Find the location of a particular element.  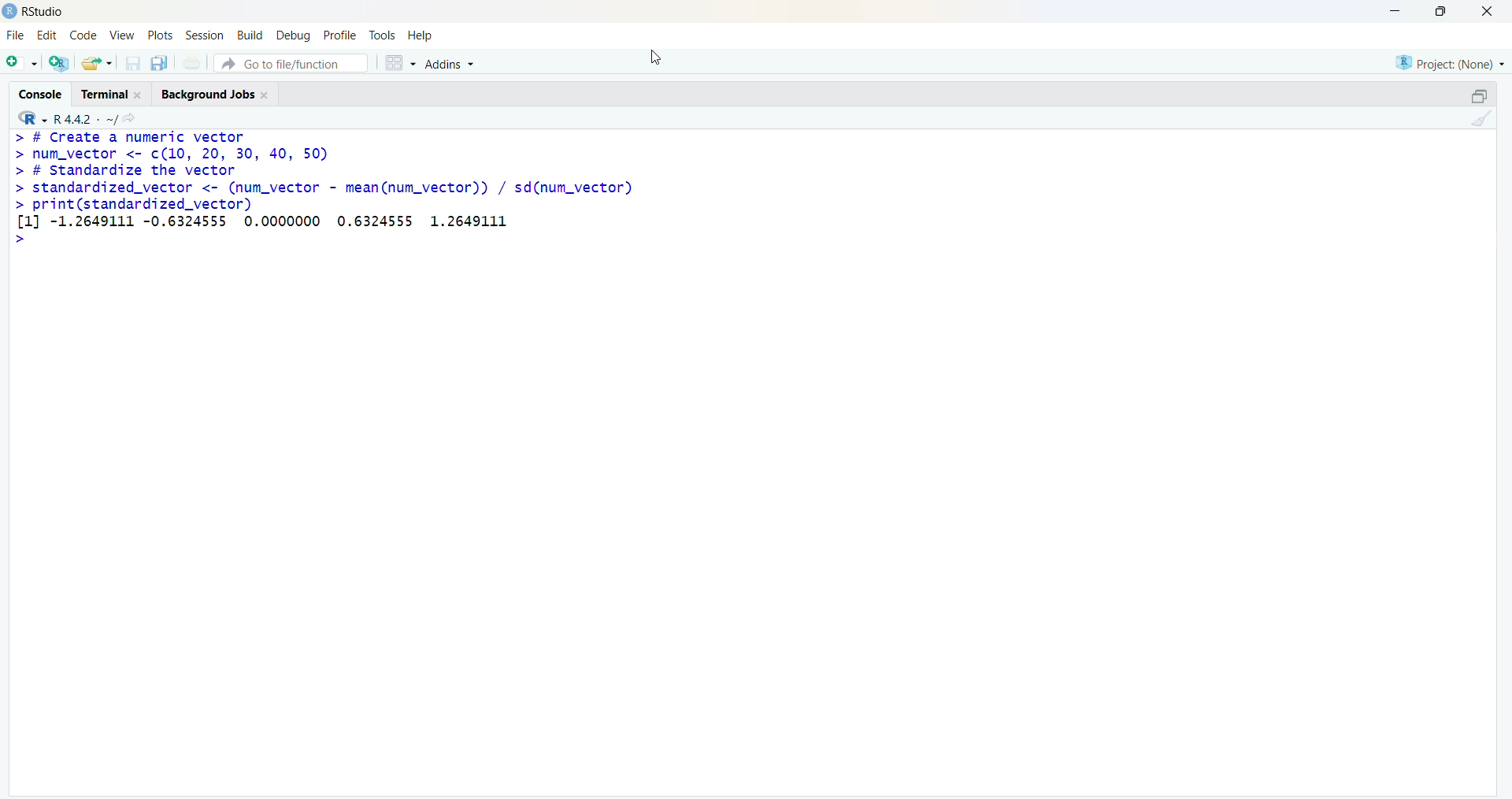

print is located at coordinates (192, 61).